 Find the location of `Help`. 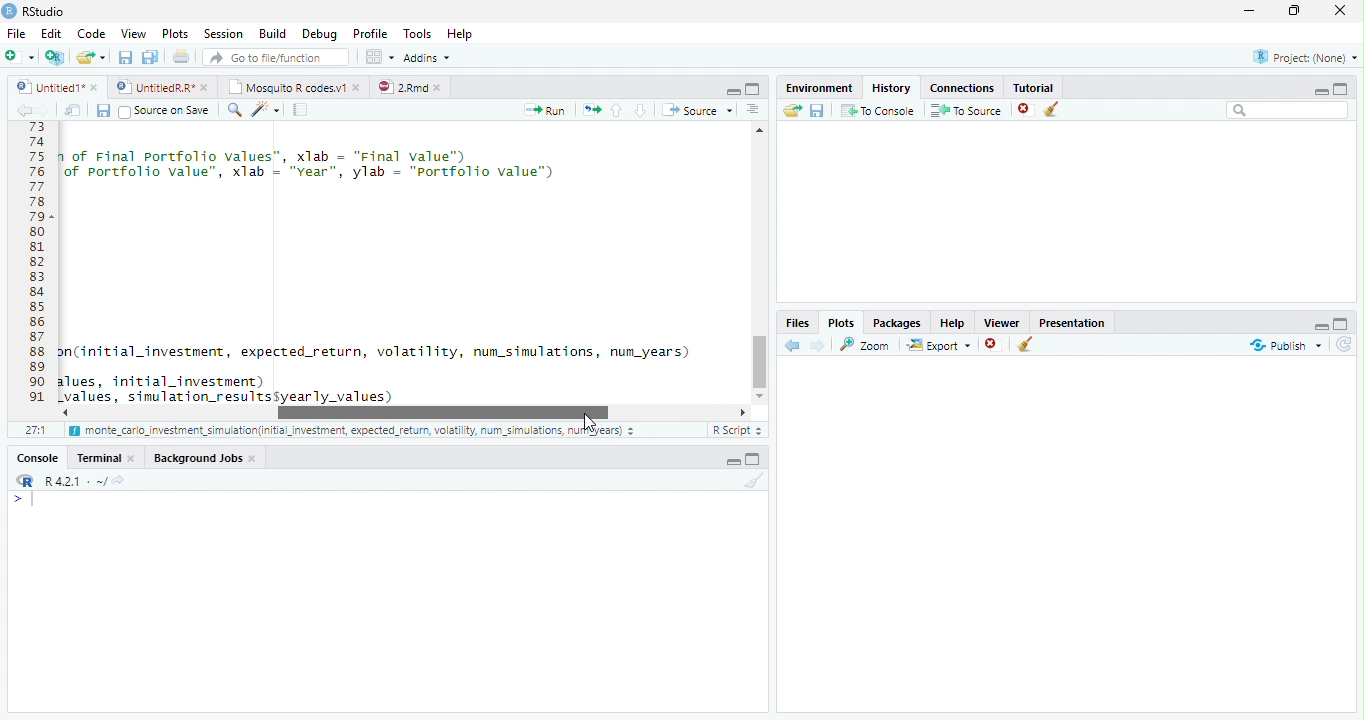

Help is located at coordinates (952, 322).